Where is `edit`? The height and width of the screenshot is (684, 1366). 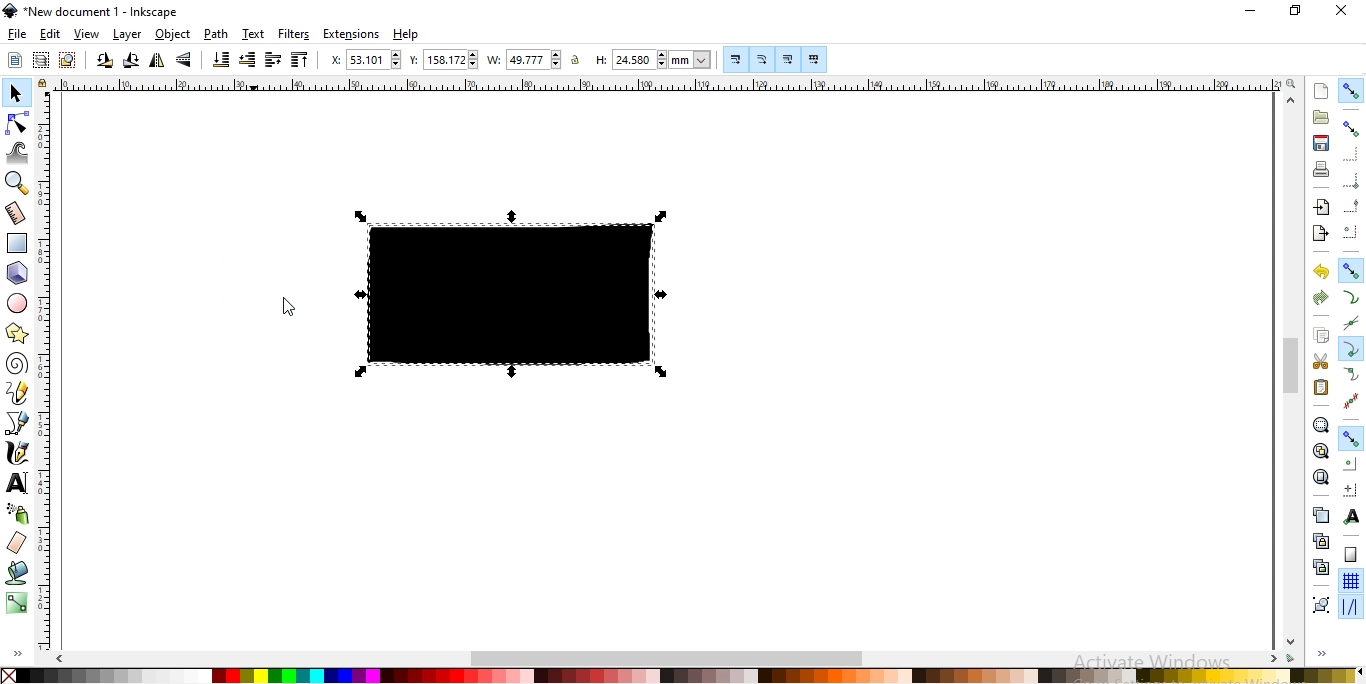
edit is located at coordinates (49, 34).